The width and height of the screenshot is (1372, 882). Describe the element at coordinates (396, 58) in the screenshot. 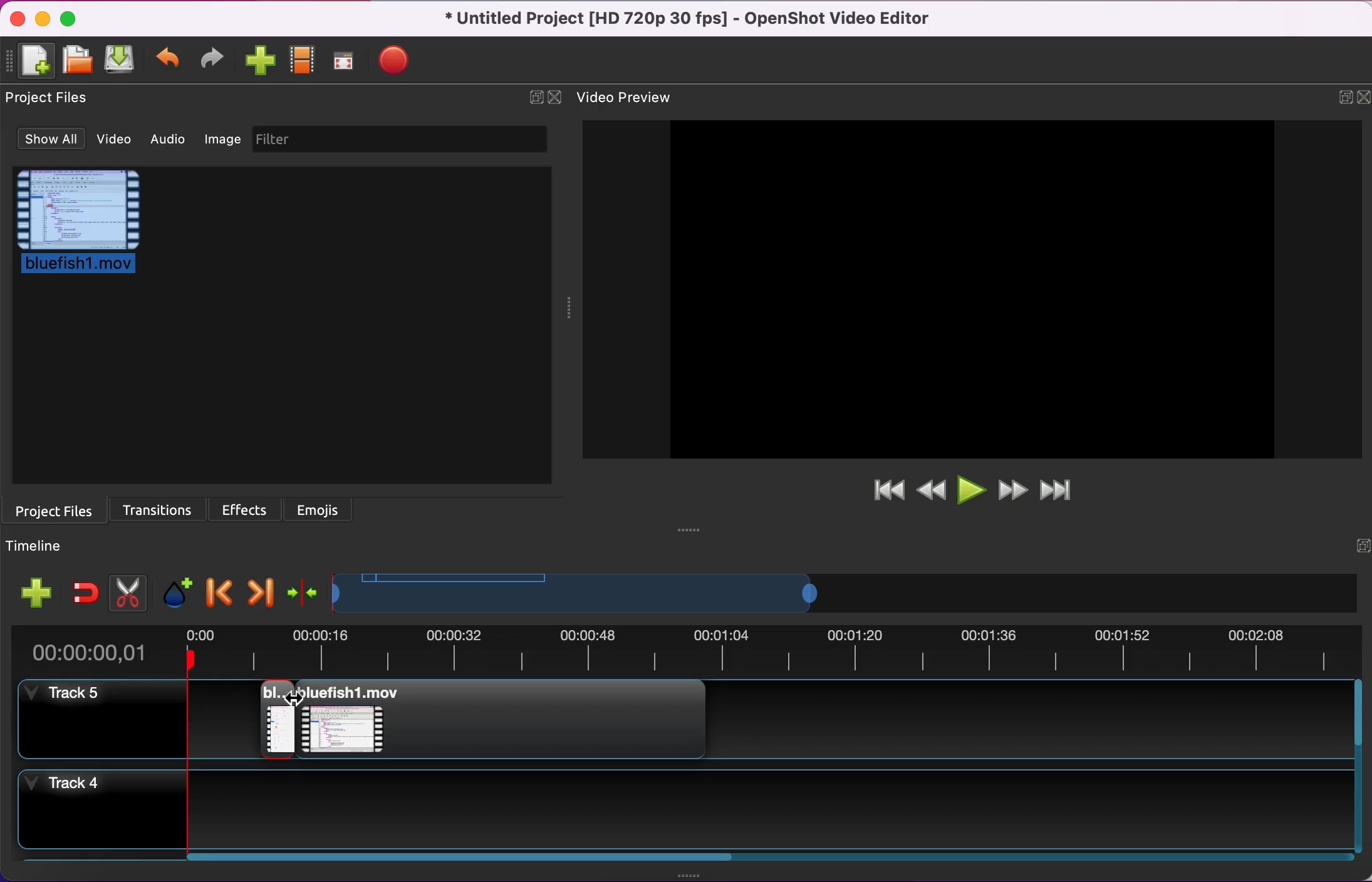

I see `expor video` at that location.